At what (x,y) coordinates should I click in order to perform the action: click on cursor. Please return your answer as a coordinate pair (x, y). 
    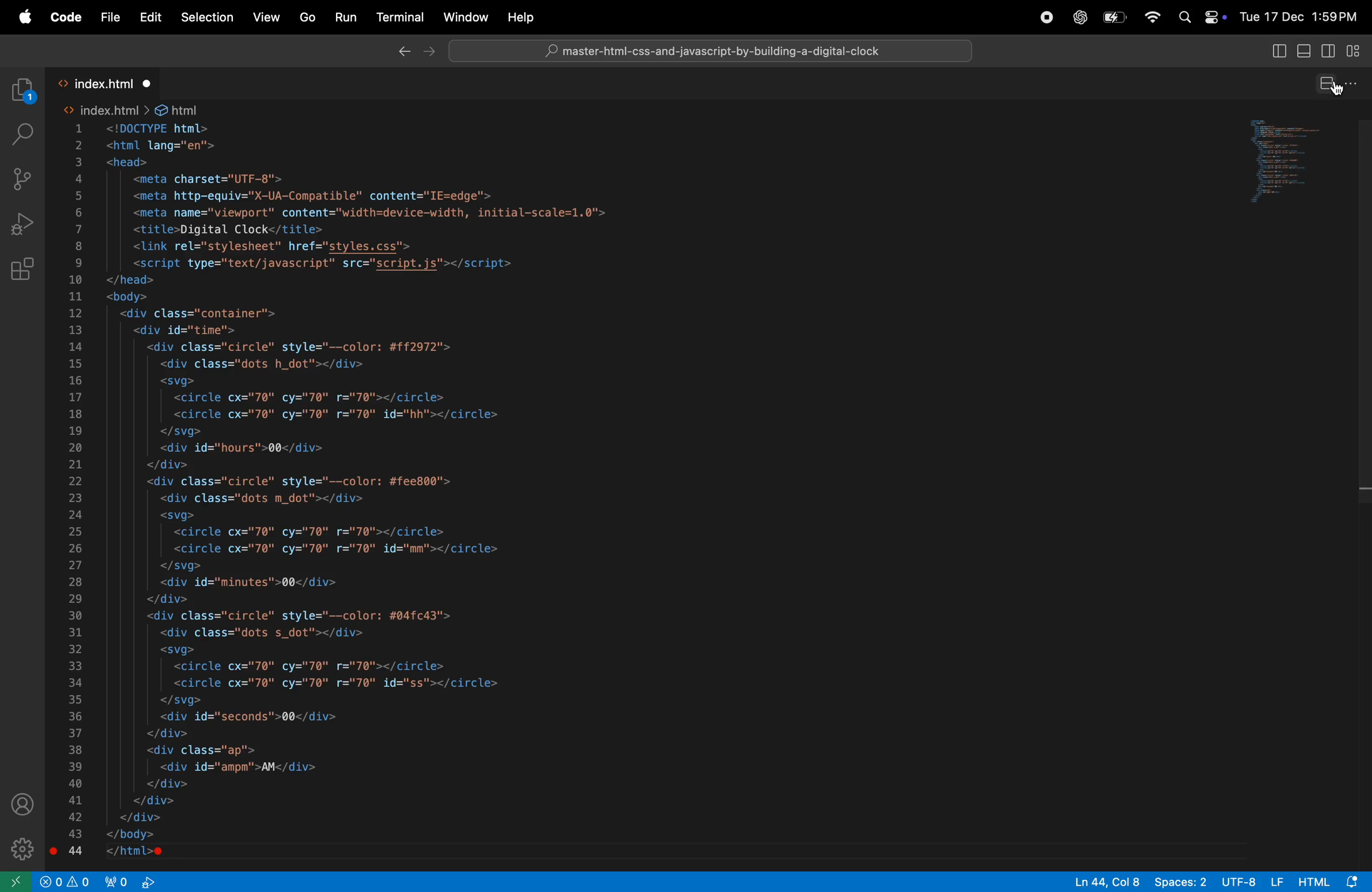
    Looking at the image, I should click on (1334, 89).